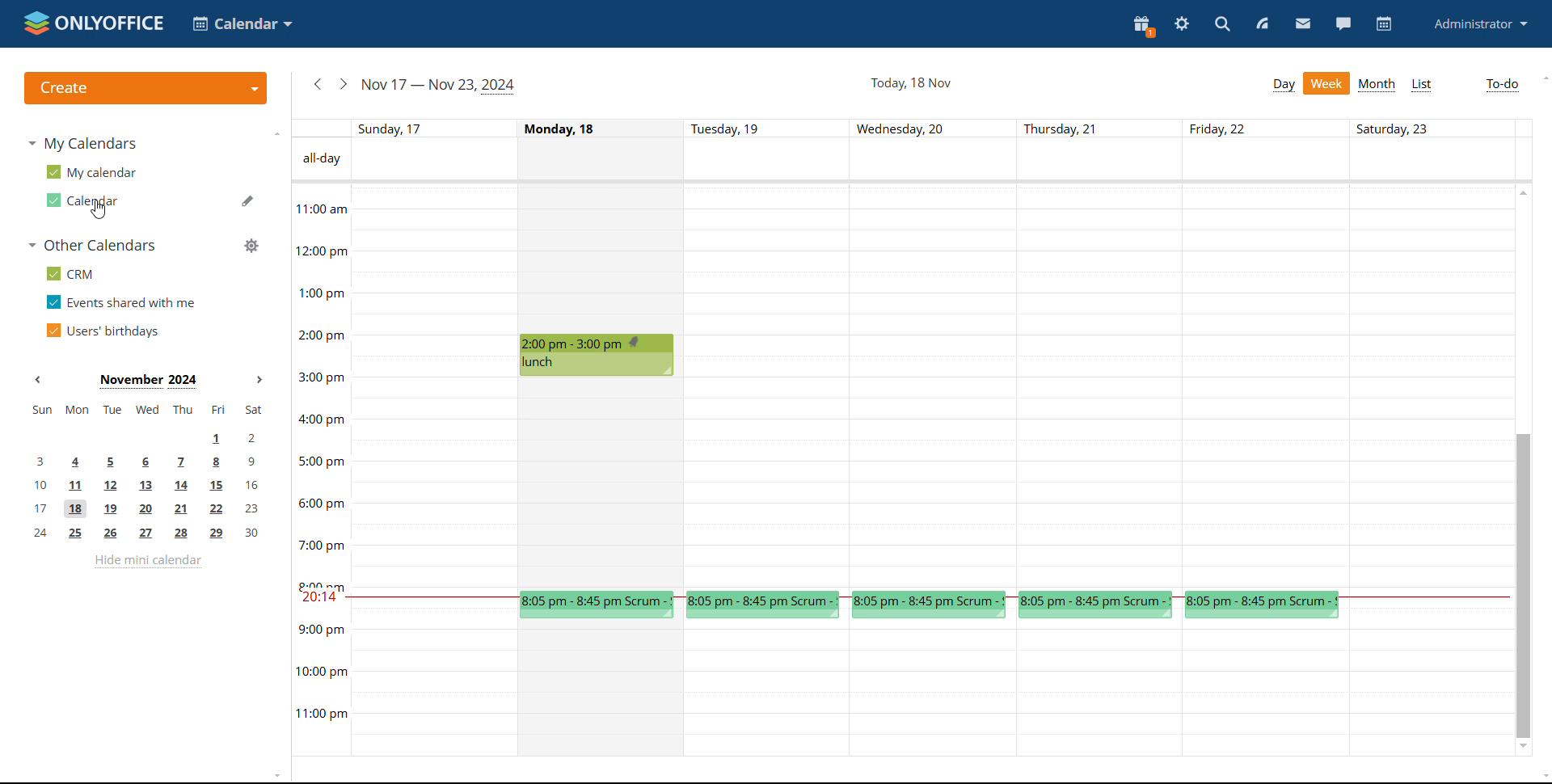 This screenshot has width=1552, height=784. Describe the element at coordinates (770, 691) in the screenshot. I see `Tuesday` at that location.